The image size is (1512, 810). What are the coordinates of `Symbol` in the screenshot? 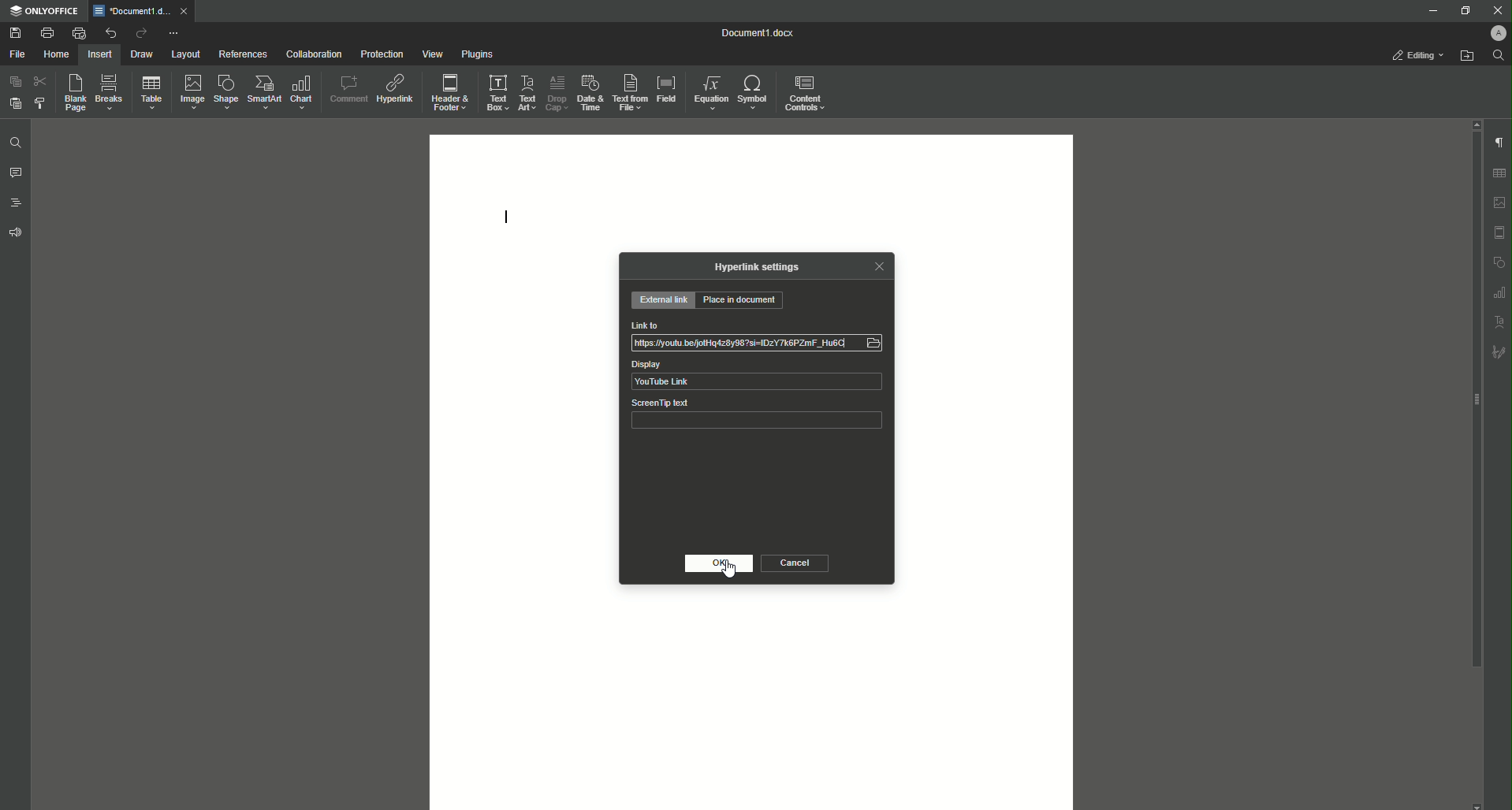 It's located at (754, 91).